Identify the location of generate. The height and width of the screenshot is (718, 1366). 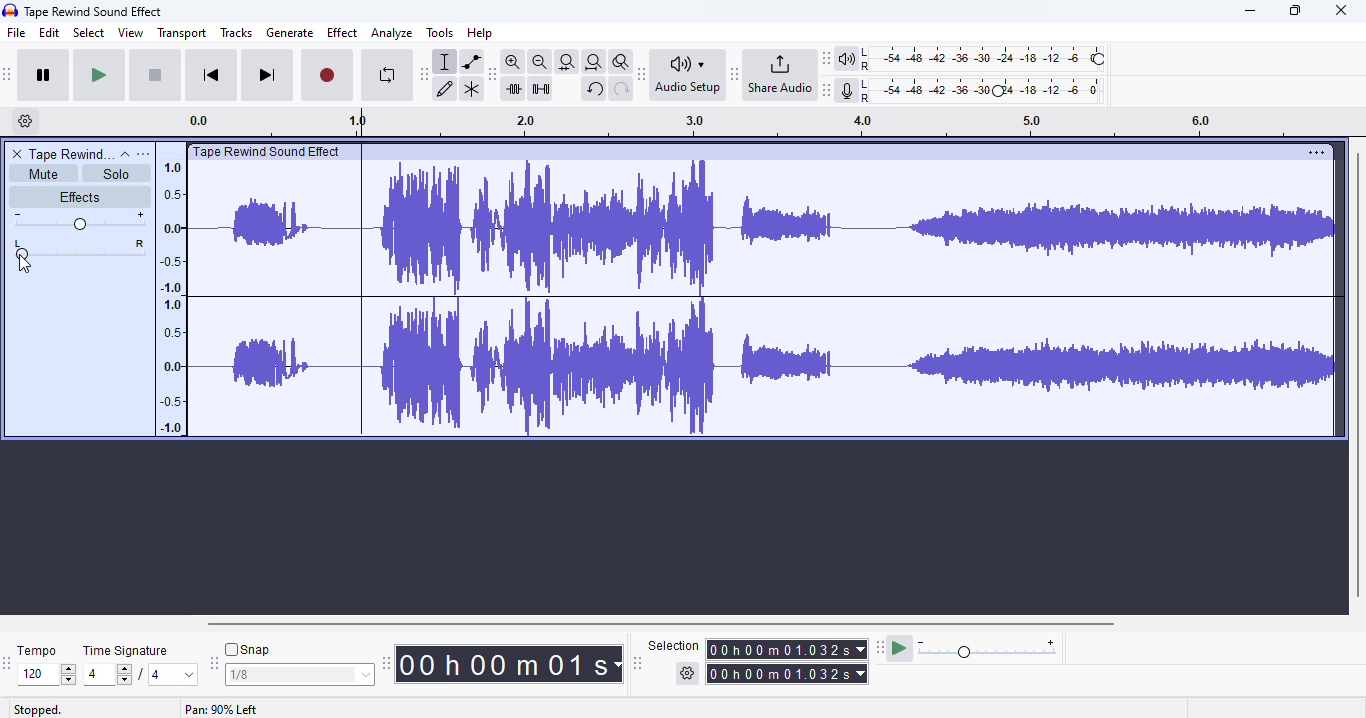
(290, 33).